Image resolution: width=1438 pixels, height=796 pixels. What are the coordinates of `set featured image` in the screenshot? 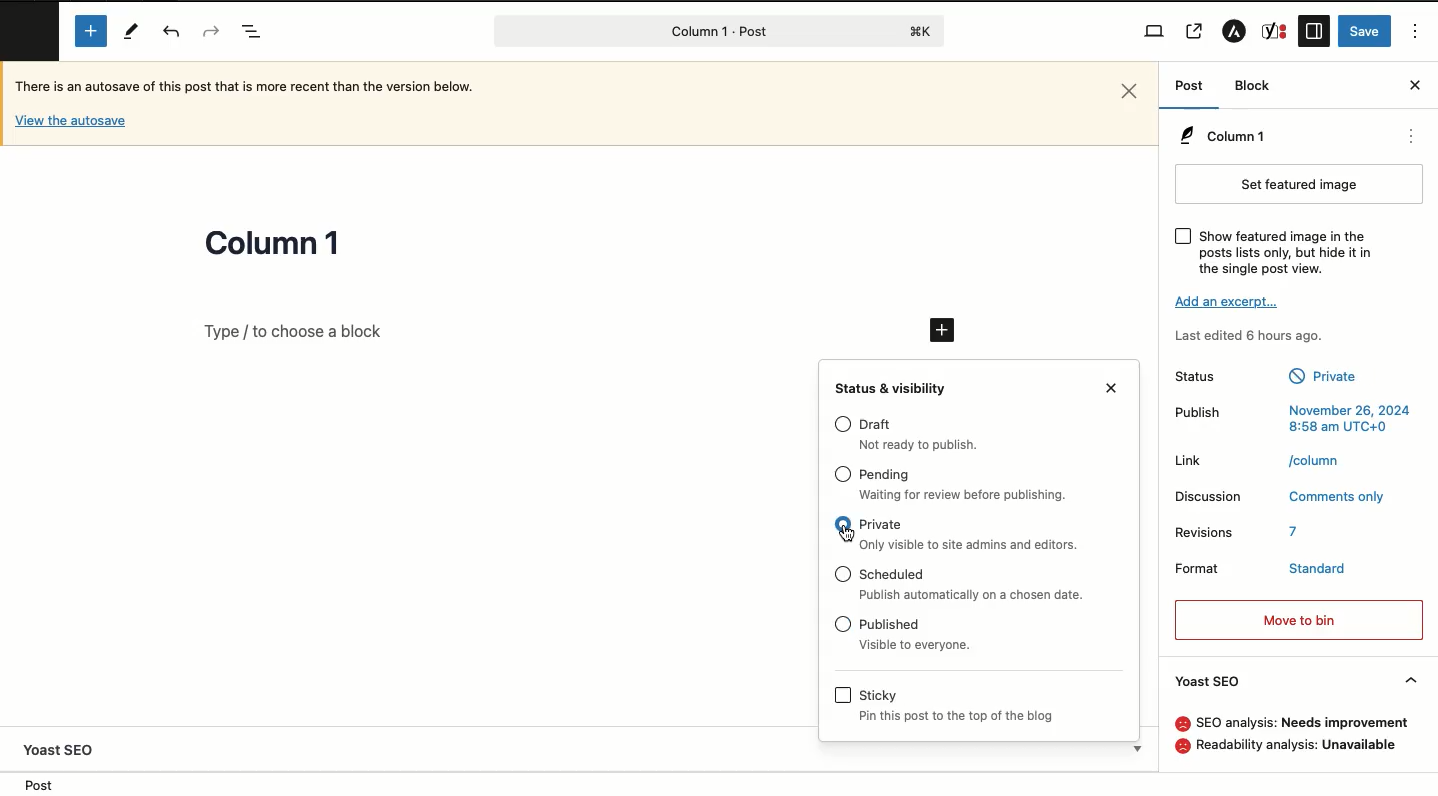 It's located at (1300, 184).